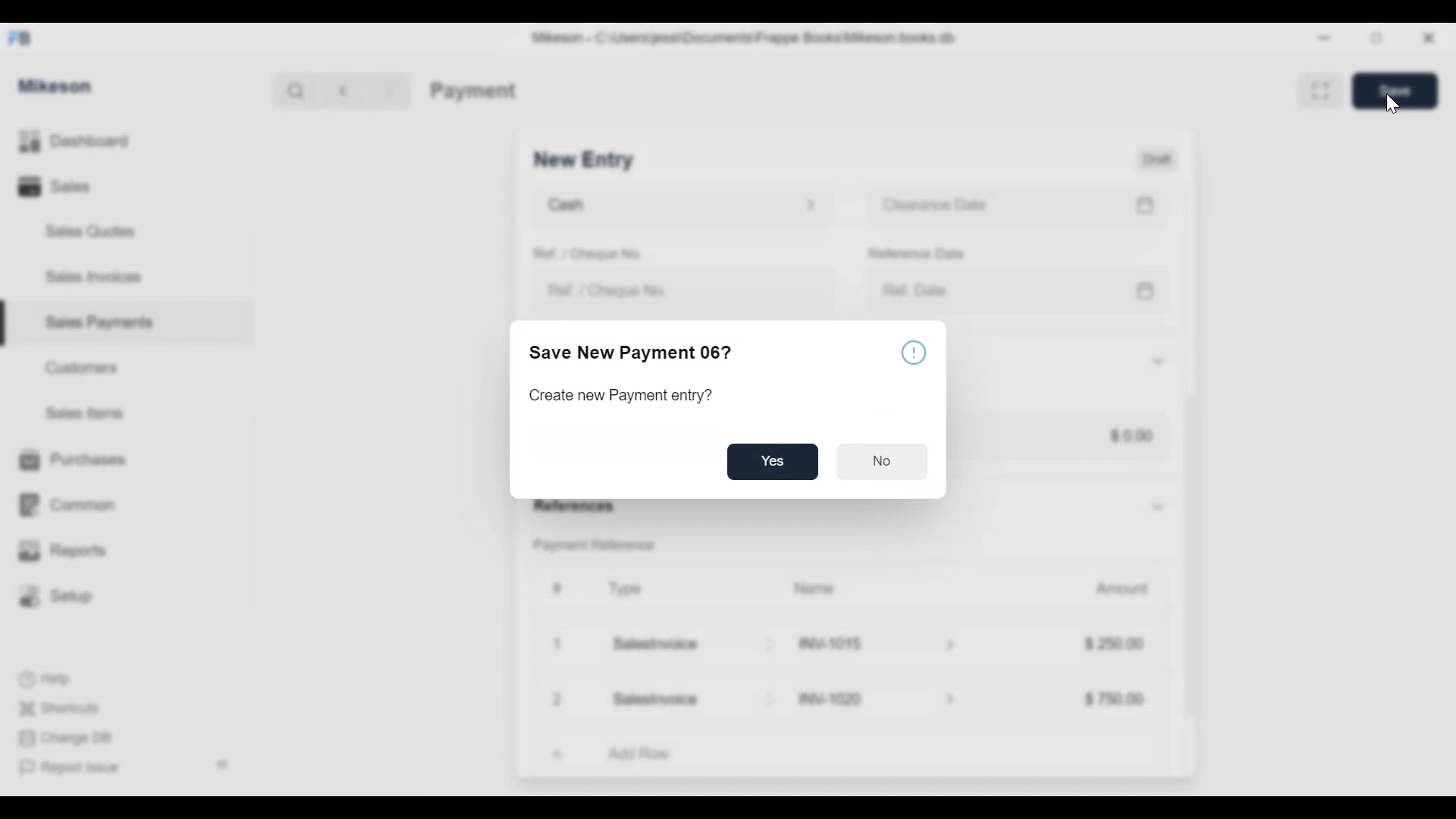  Describe the element at coordinates (1396, 106) in the screenshot. I see `cursor` at that location.